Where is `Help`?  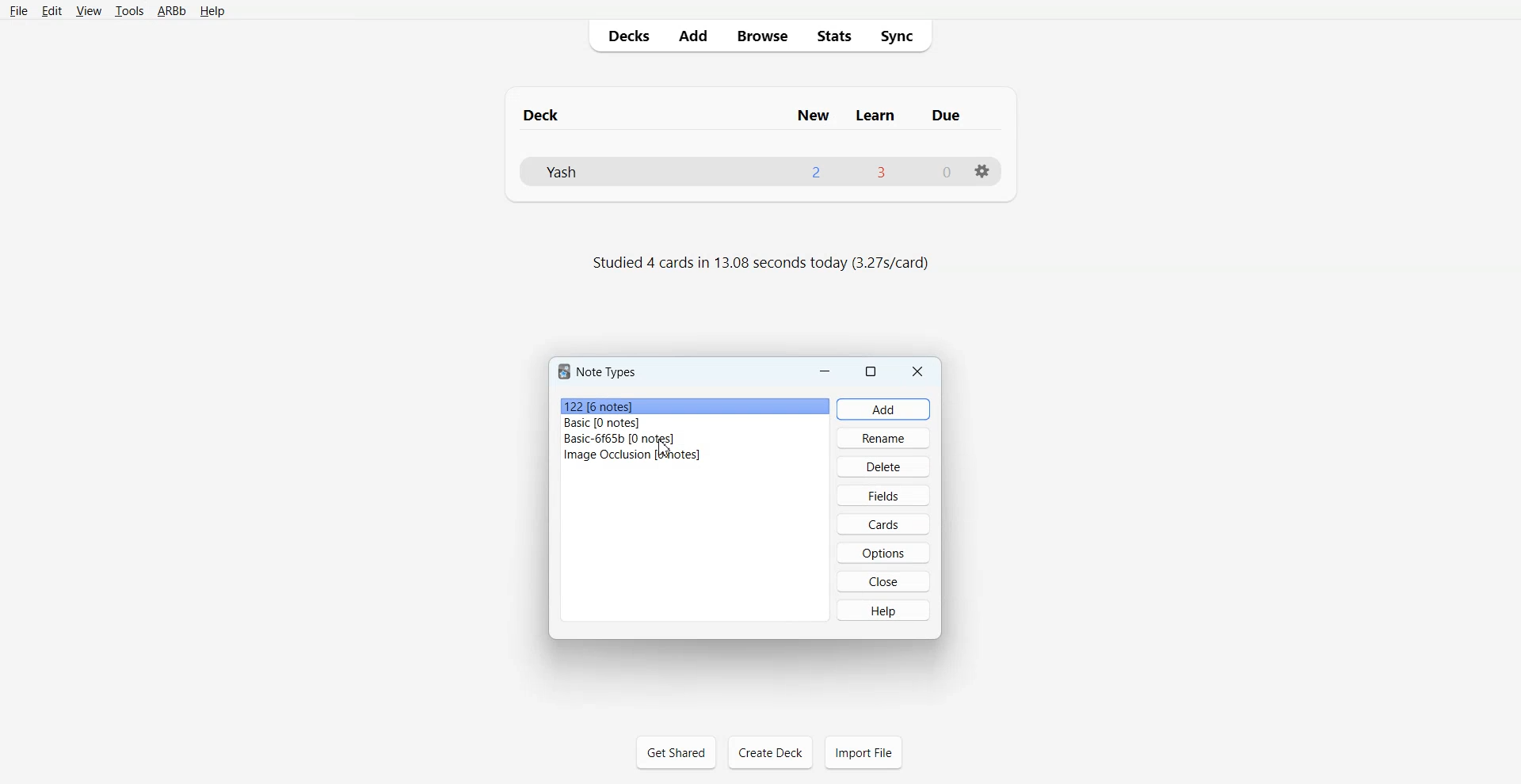
Help is located at coordinates (211, 12).